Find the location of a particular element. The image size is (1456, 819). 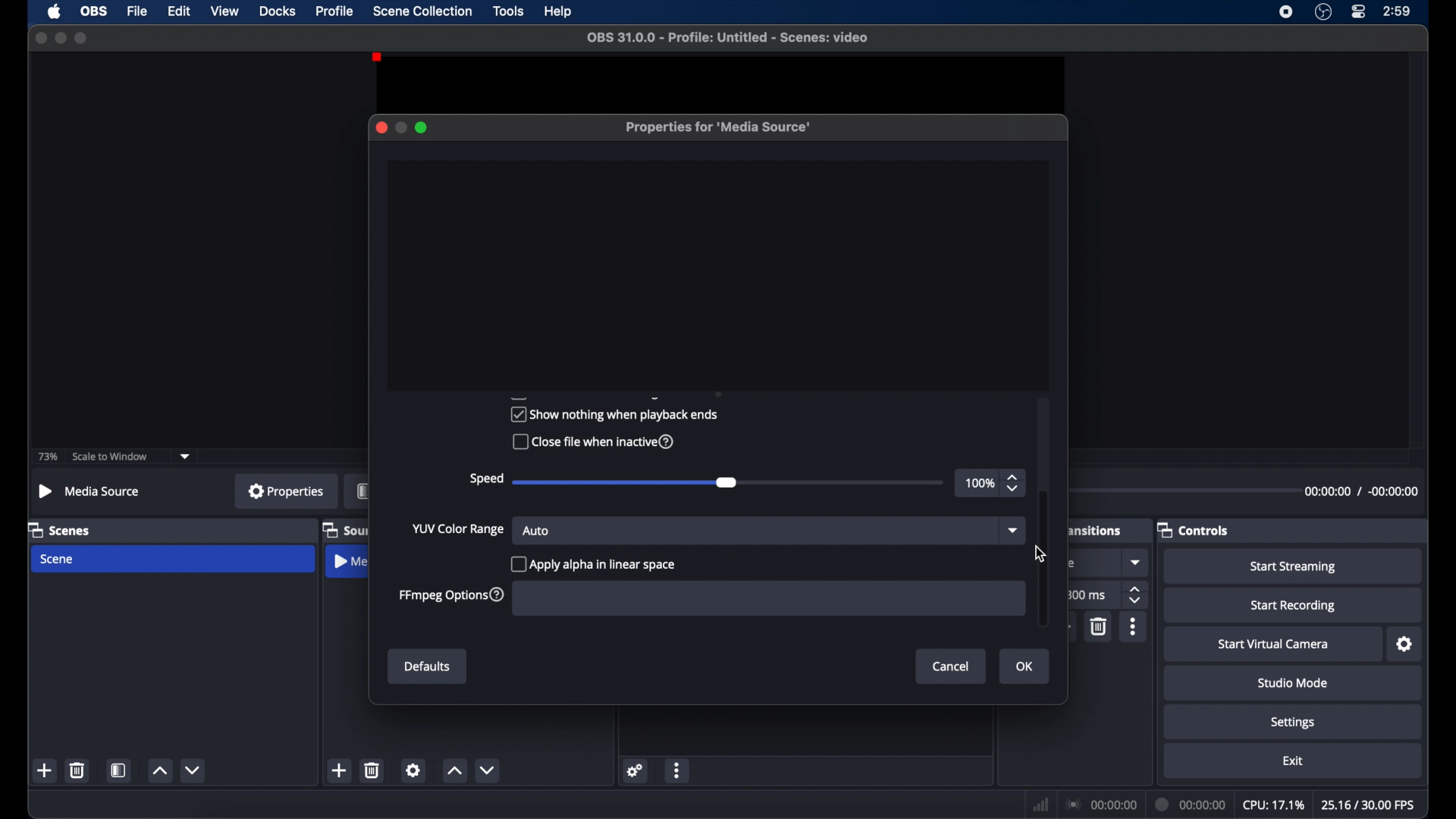

no source selected is located at coordinates (93, 491).